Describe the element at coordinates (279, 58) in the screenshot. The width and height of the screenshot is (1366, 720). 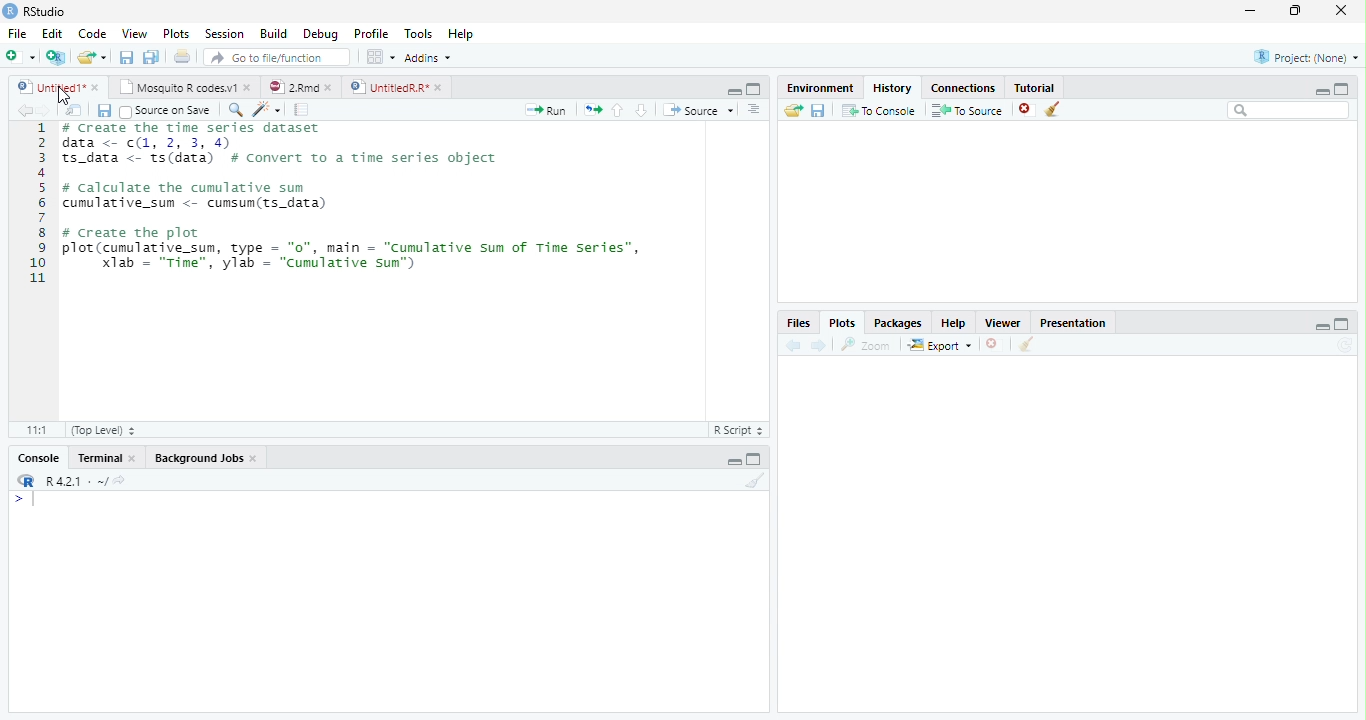
I see `Go to file/function` at that location.